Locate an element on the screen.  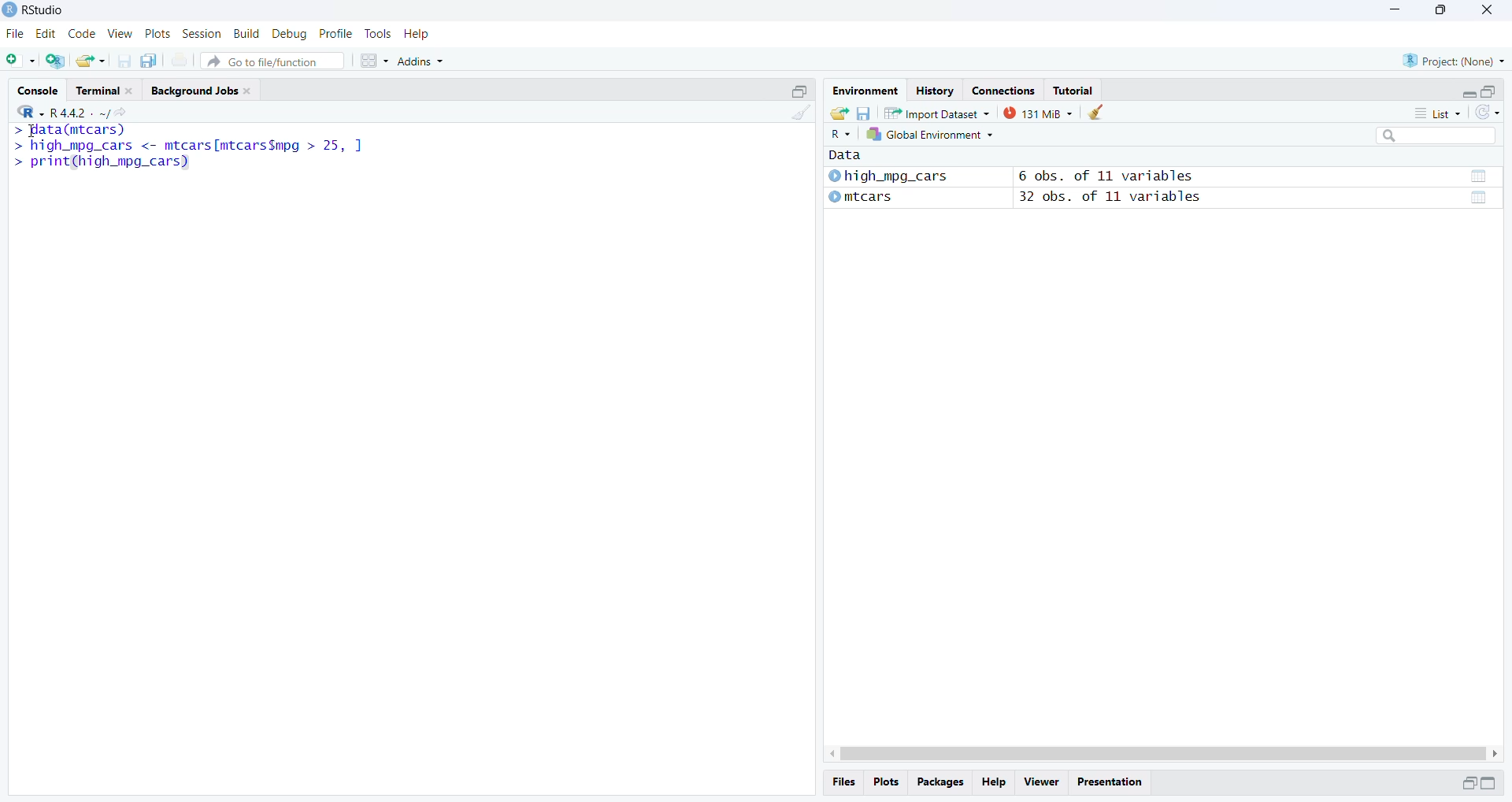
View is located at coordinates (120, 33).